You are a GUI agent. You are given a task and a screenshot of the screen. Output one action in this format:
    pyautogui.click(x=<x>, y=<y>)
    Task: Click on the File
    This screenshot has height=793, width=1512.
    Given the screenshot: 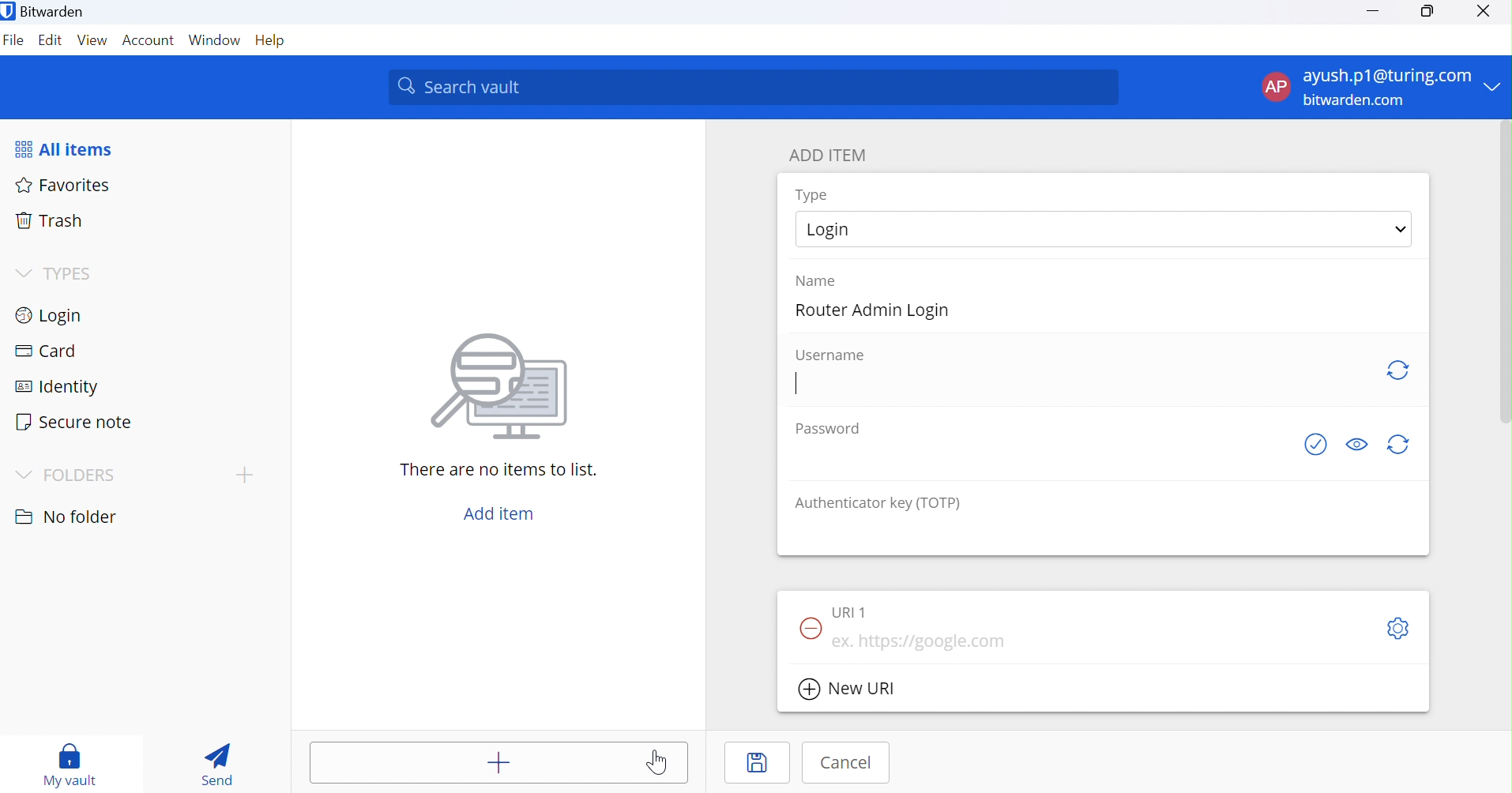 What is the action you would take?
    pyautogui.click(x=14, y=43)
    